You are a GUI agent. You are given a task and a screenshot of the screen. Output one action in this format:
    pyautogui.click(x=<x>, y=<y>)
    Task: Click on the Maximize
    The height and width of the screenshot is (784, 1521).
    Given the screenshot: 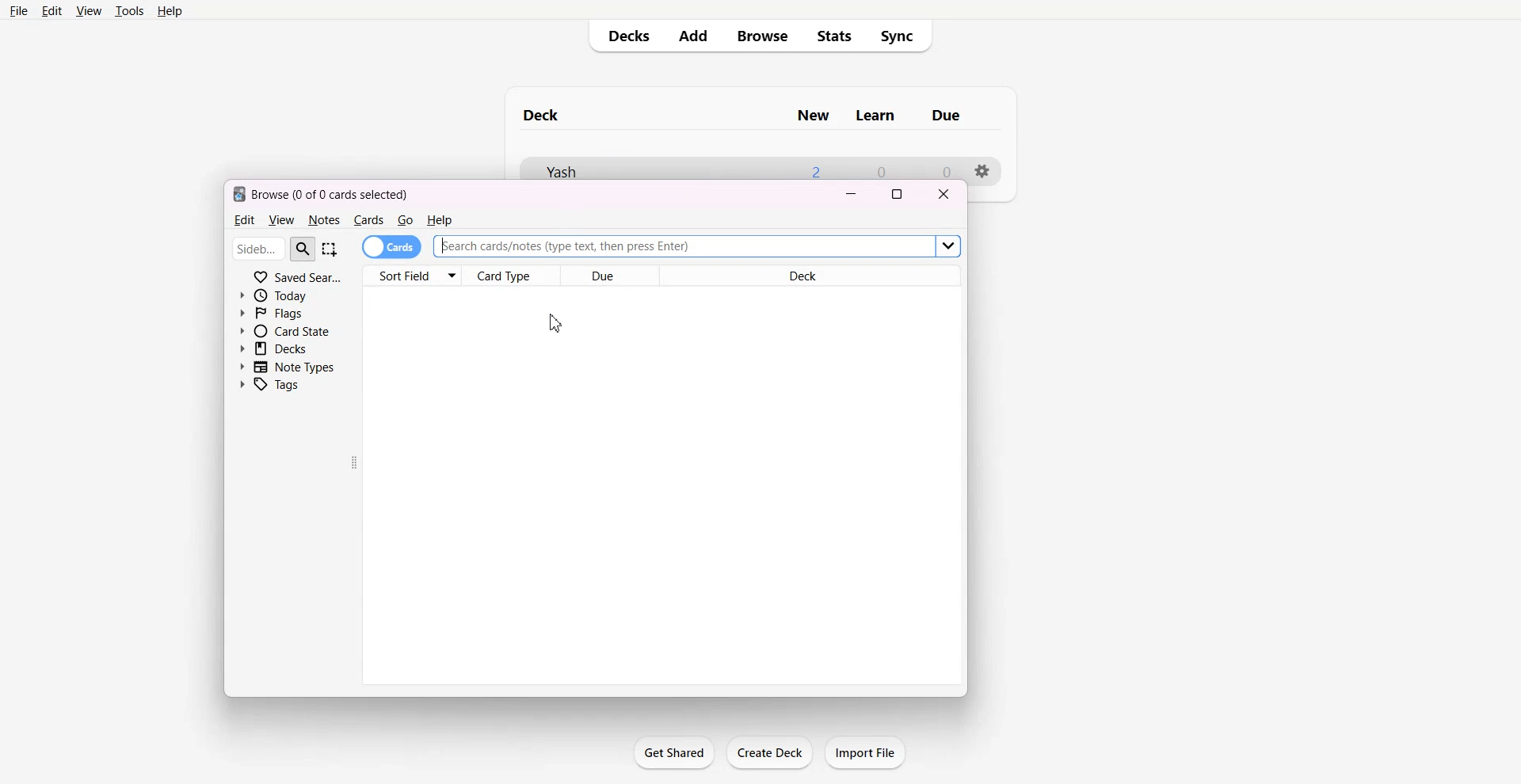 What is the action you would take?
    pyautogui.click(x=897, y=192)
    